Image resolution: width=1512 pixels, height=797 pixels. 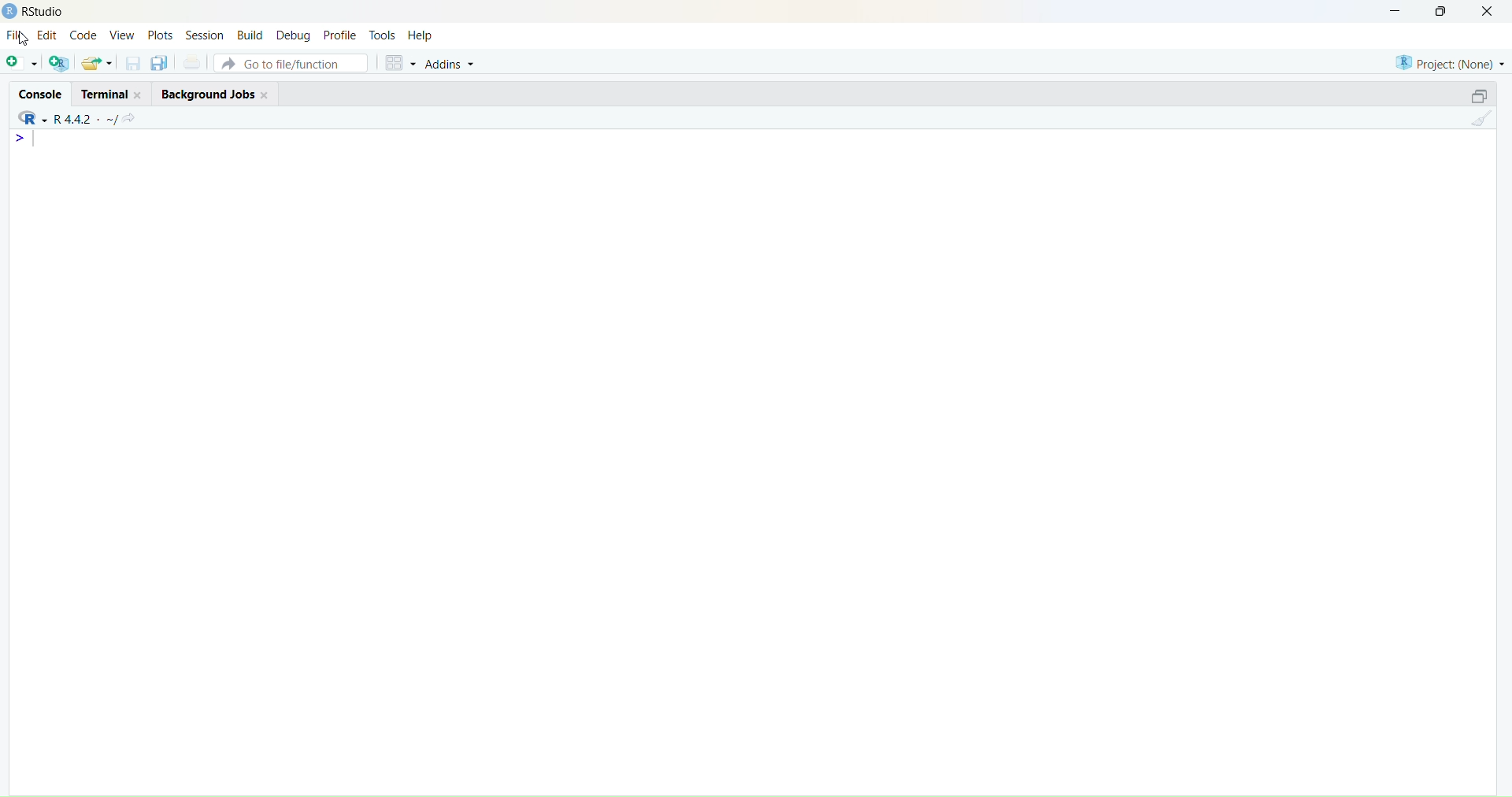 What do you see at coordinates (135, 116) in the screenshot?
I see `View the current working directory` at bounding box center [135, 116].